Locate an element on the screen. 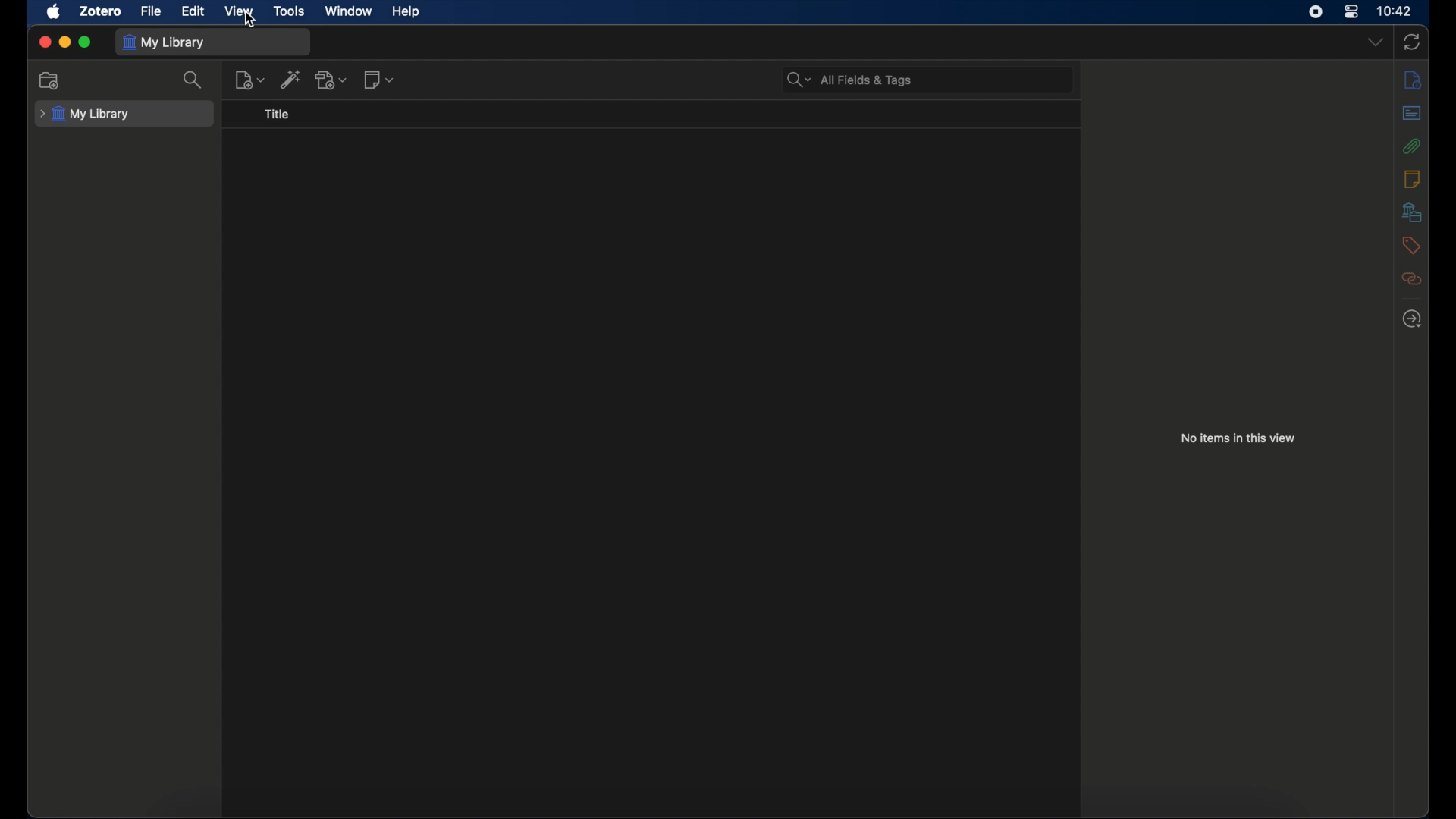 Image resolution: width=1456 pixels, height=819 pixels. file is located at coordinates (151, 11).